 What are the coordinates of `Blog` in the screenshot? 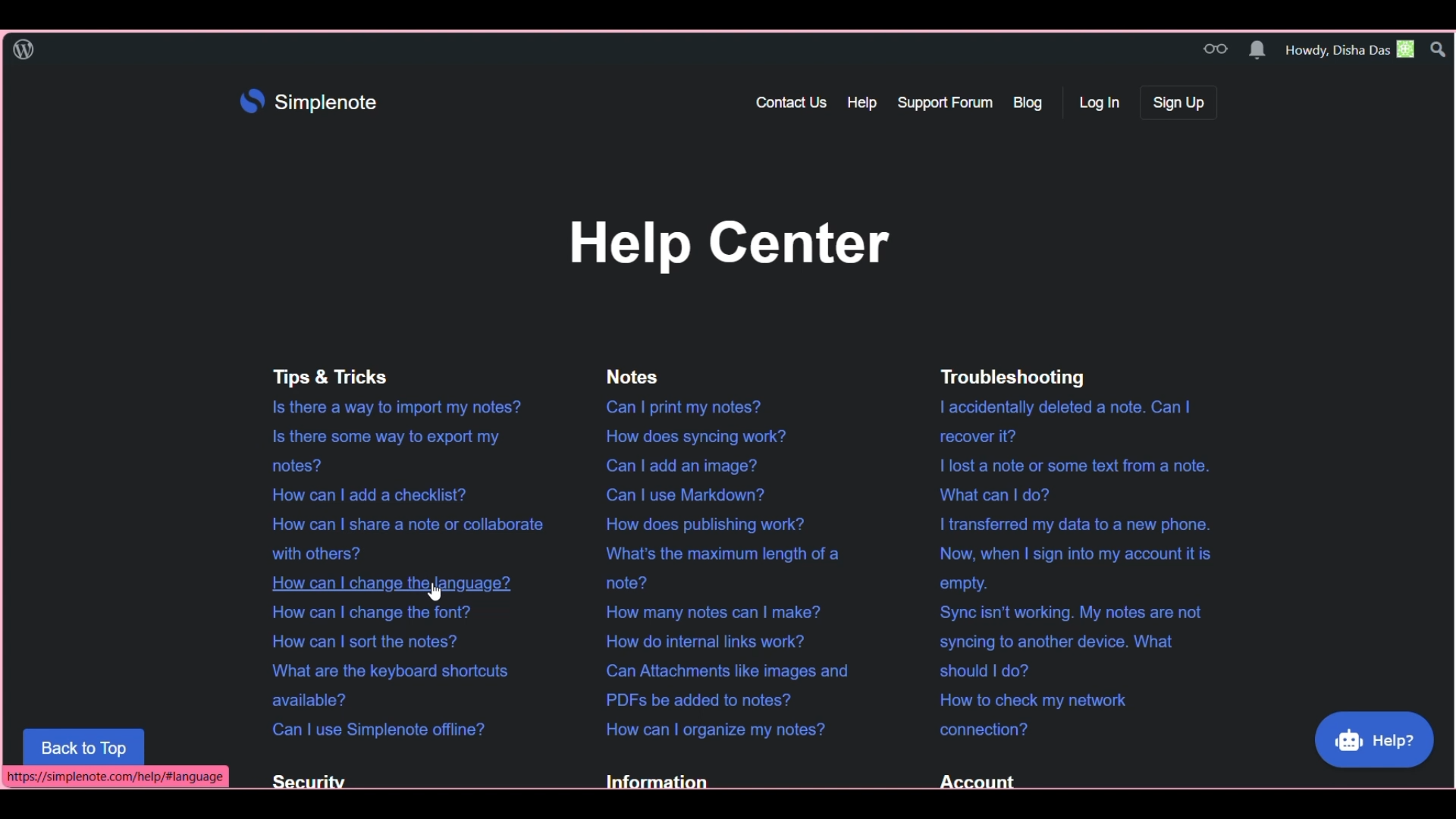 It's located at (1033, 102).